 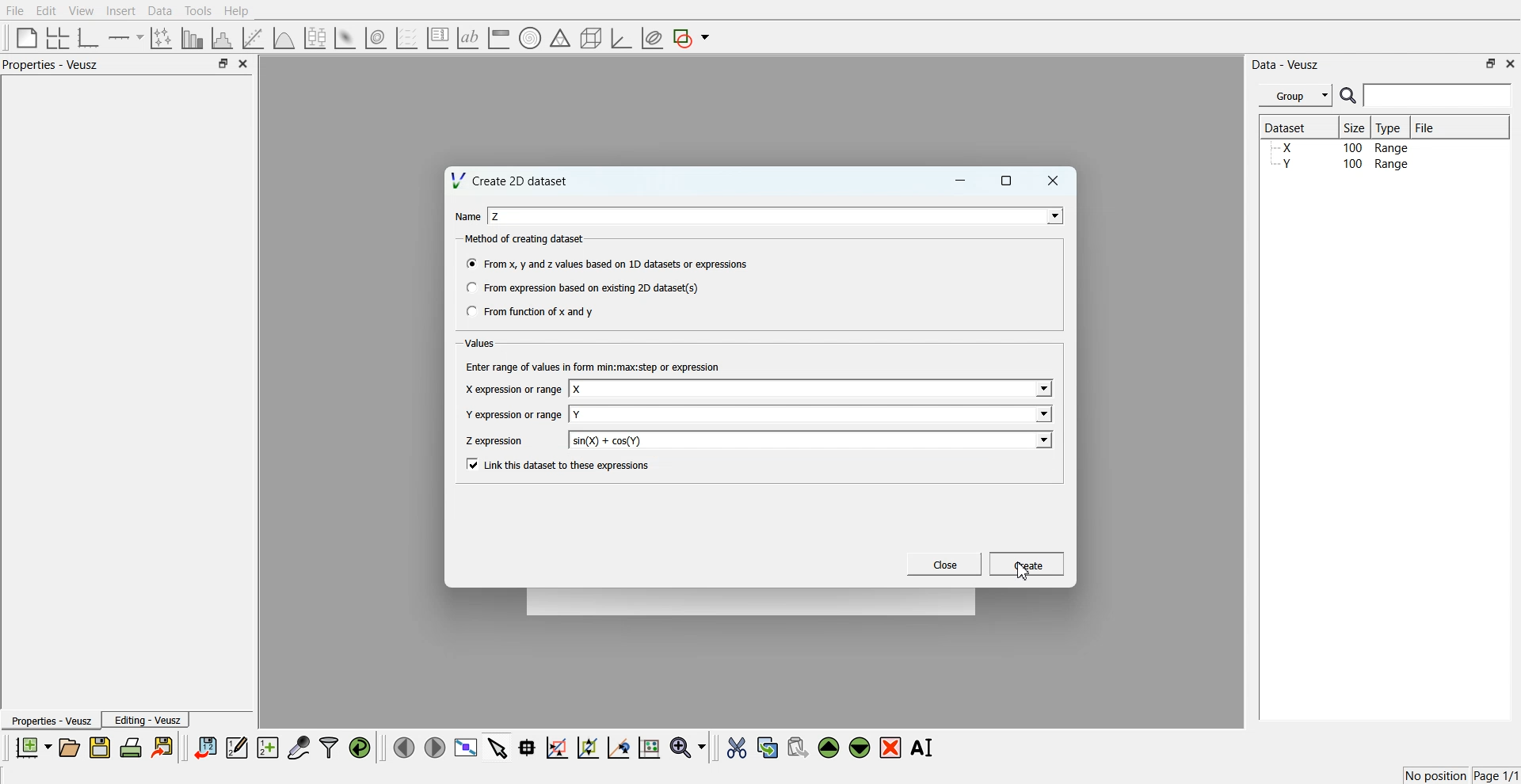 I want to click on MX expression or range, so click(x=513, y=389).